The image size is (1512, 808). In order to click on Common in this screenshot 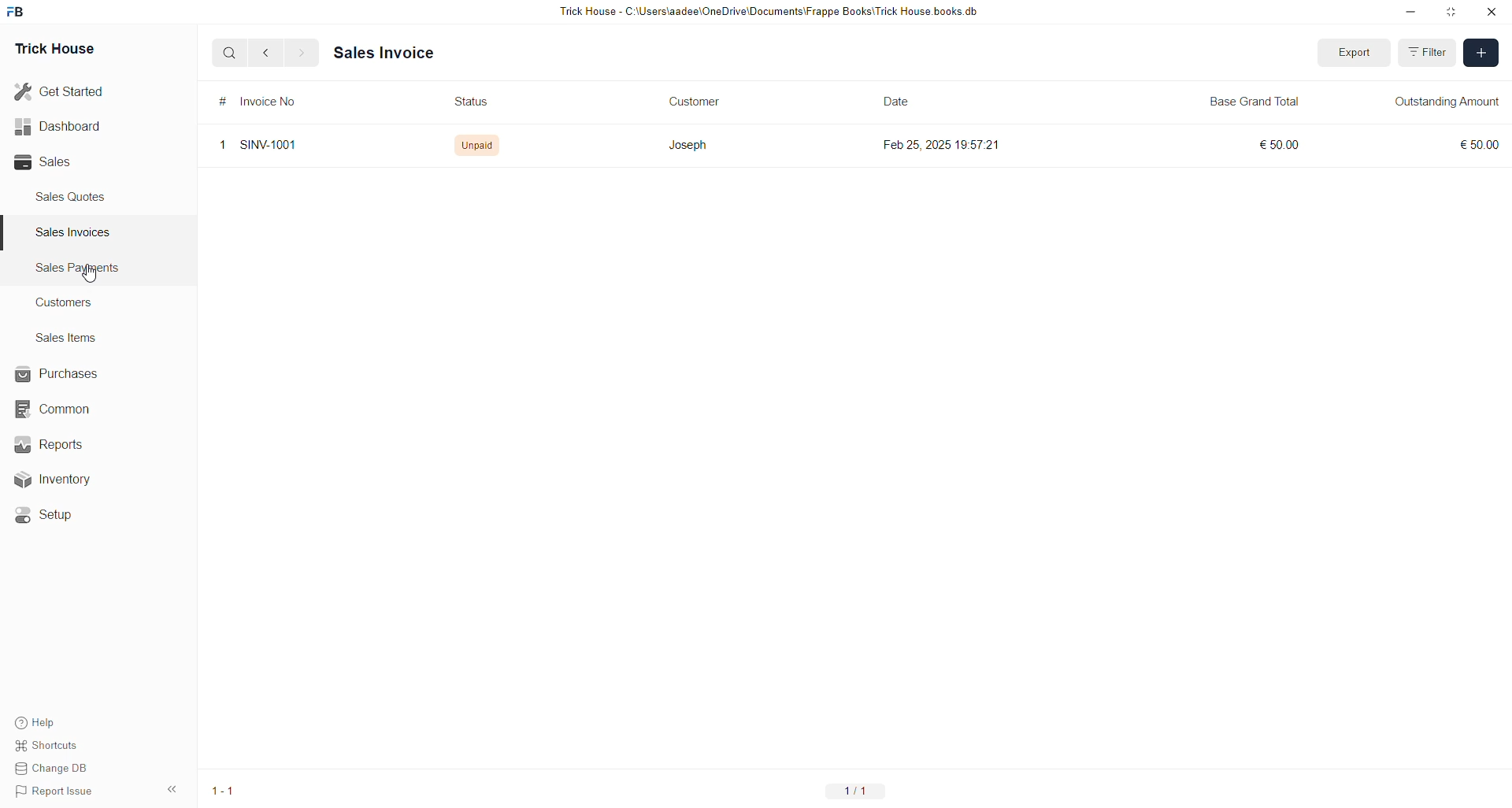, I will do `click(60, 410)`.